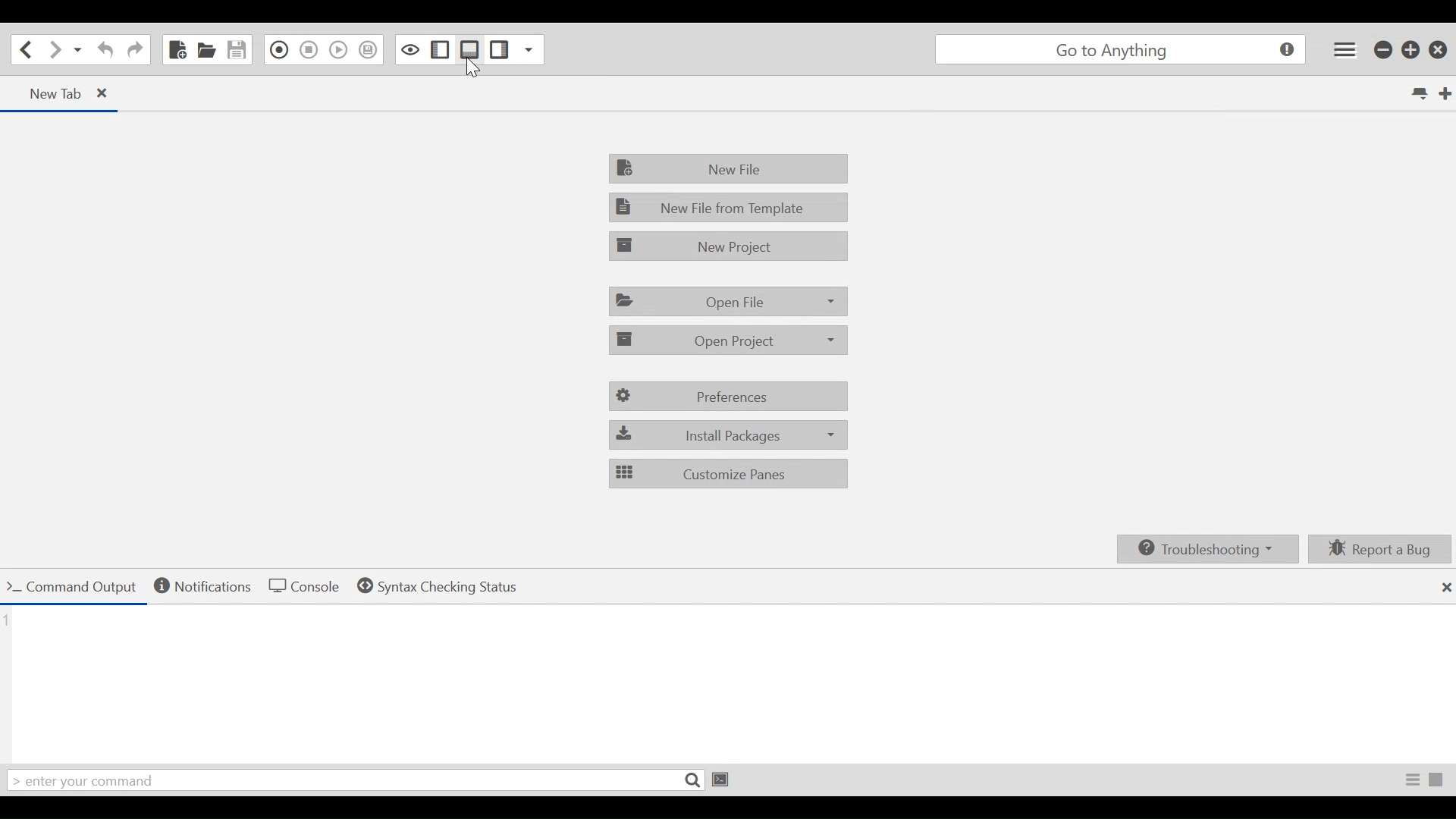 This screenshot has width=1456, height=819. I want to click on Report a bug, so click(1381, 548).